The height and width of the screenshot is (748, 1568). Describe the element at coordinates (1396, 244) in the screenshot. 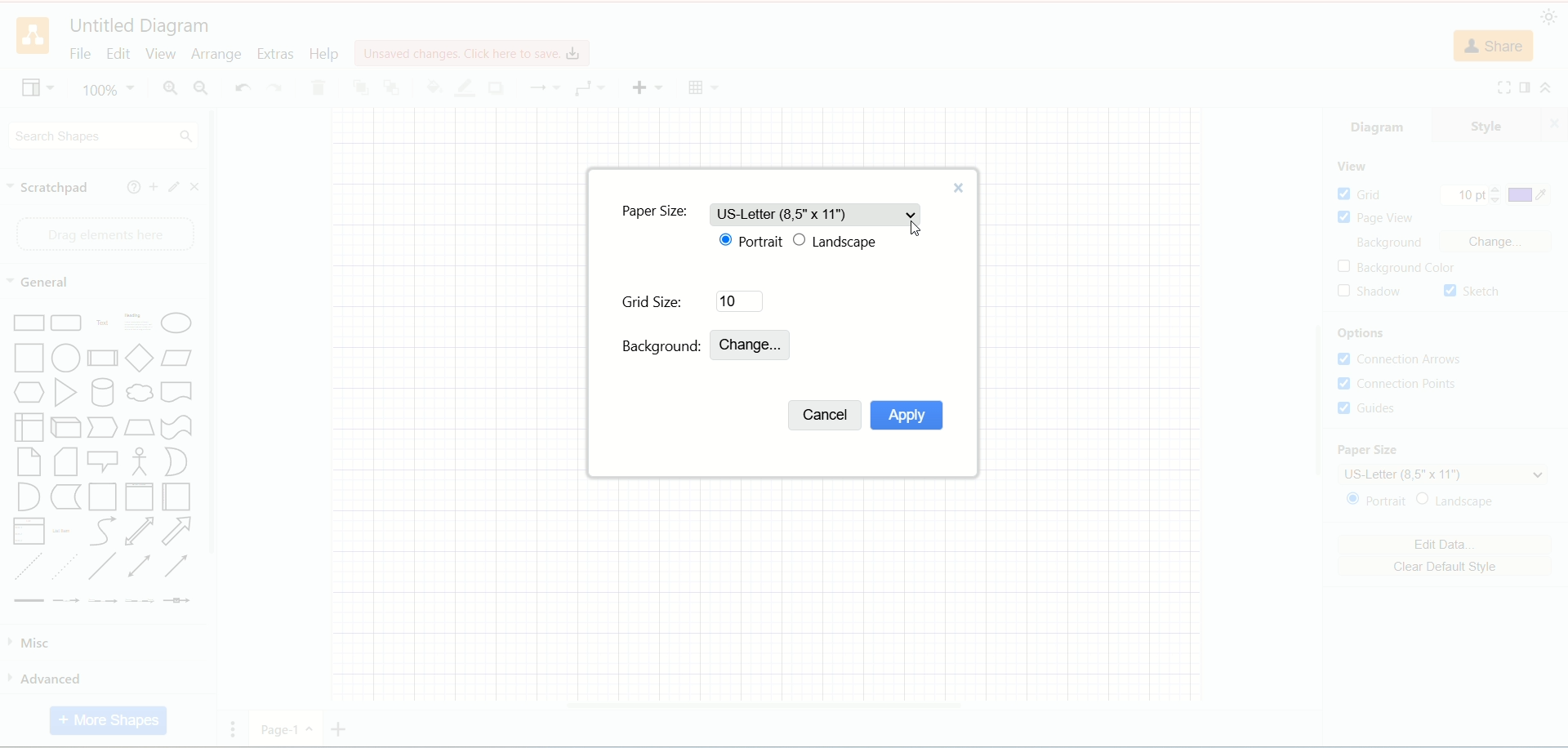

I see `background` at that location.